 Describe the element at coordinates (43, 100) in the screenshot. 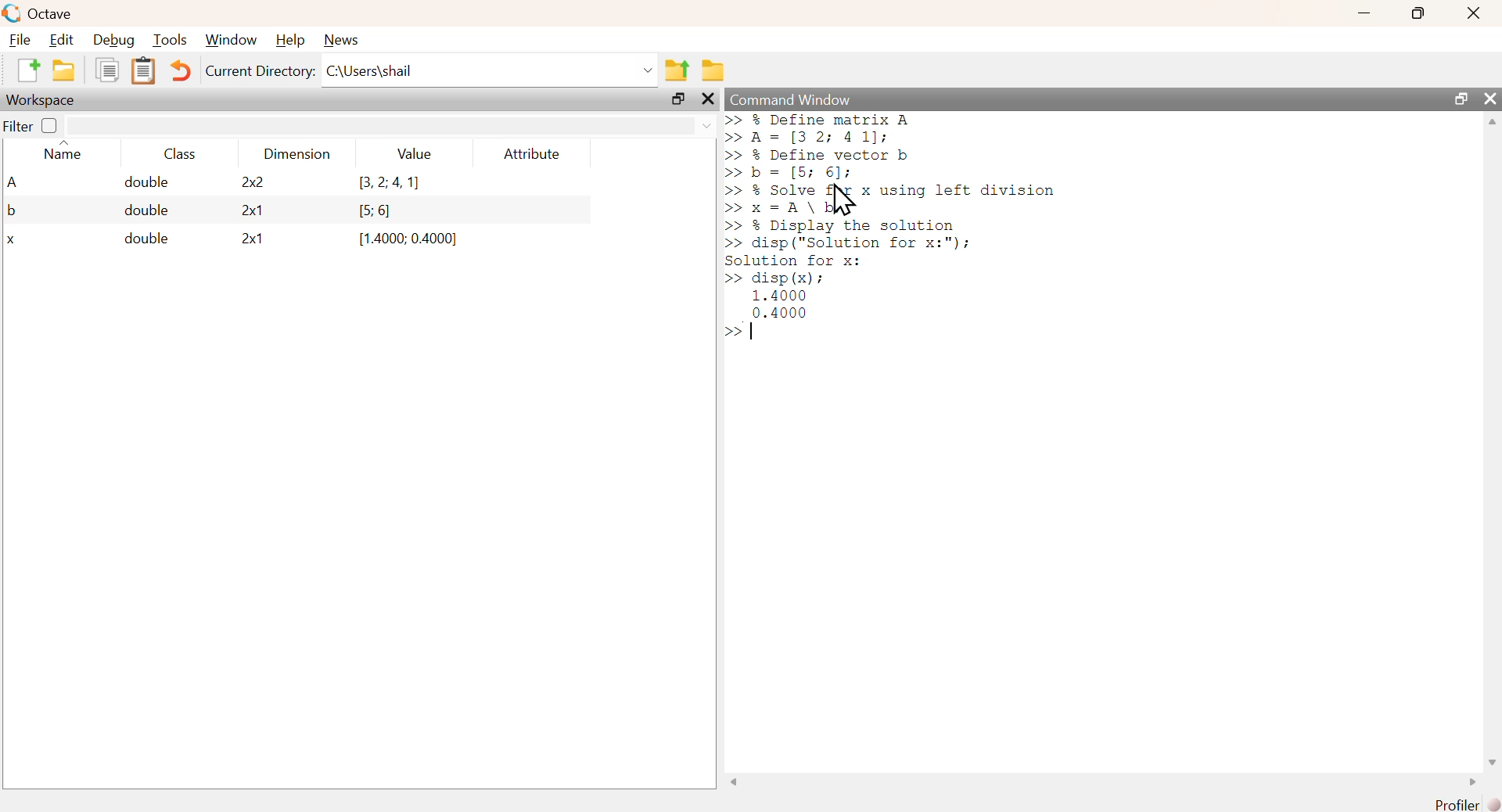

I see `workspace` at that location.